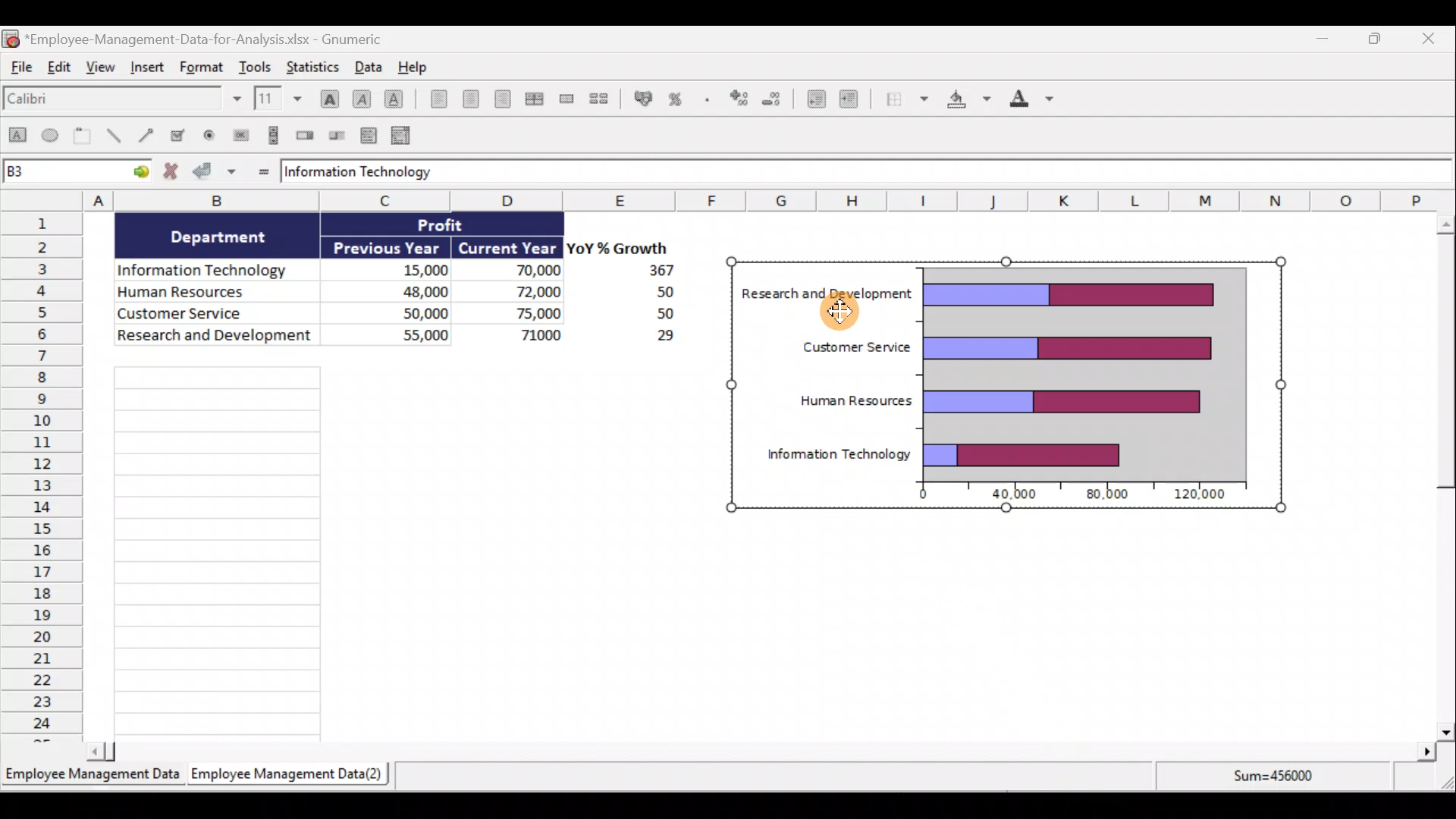 The width and height of the screenshot is (1456, 819). Describe the element at coordinates (434, 102) in the screenshot. I see `Align left` at that location.